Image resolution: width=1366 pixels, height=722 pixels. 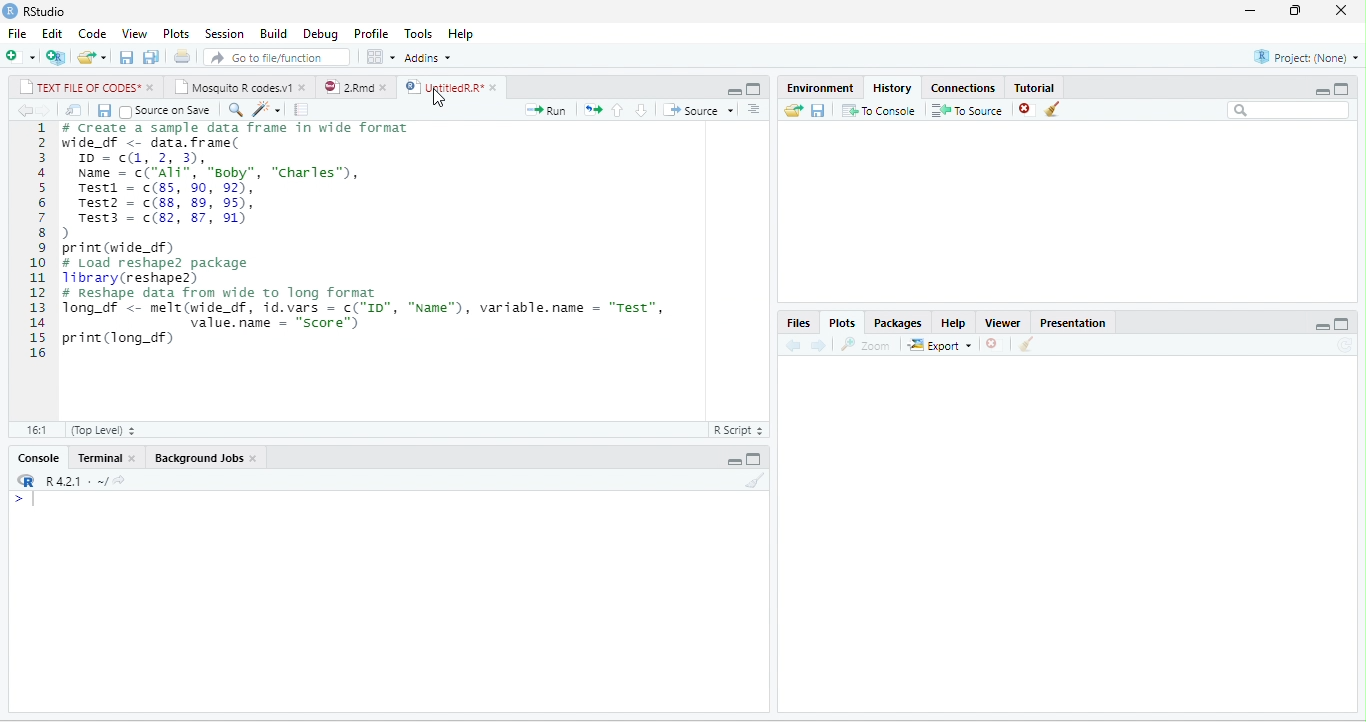 I want to click on Run, so click(x=545, y=110).